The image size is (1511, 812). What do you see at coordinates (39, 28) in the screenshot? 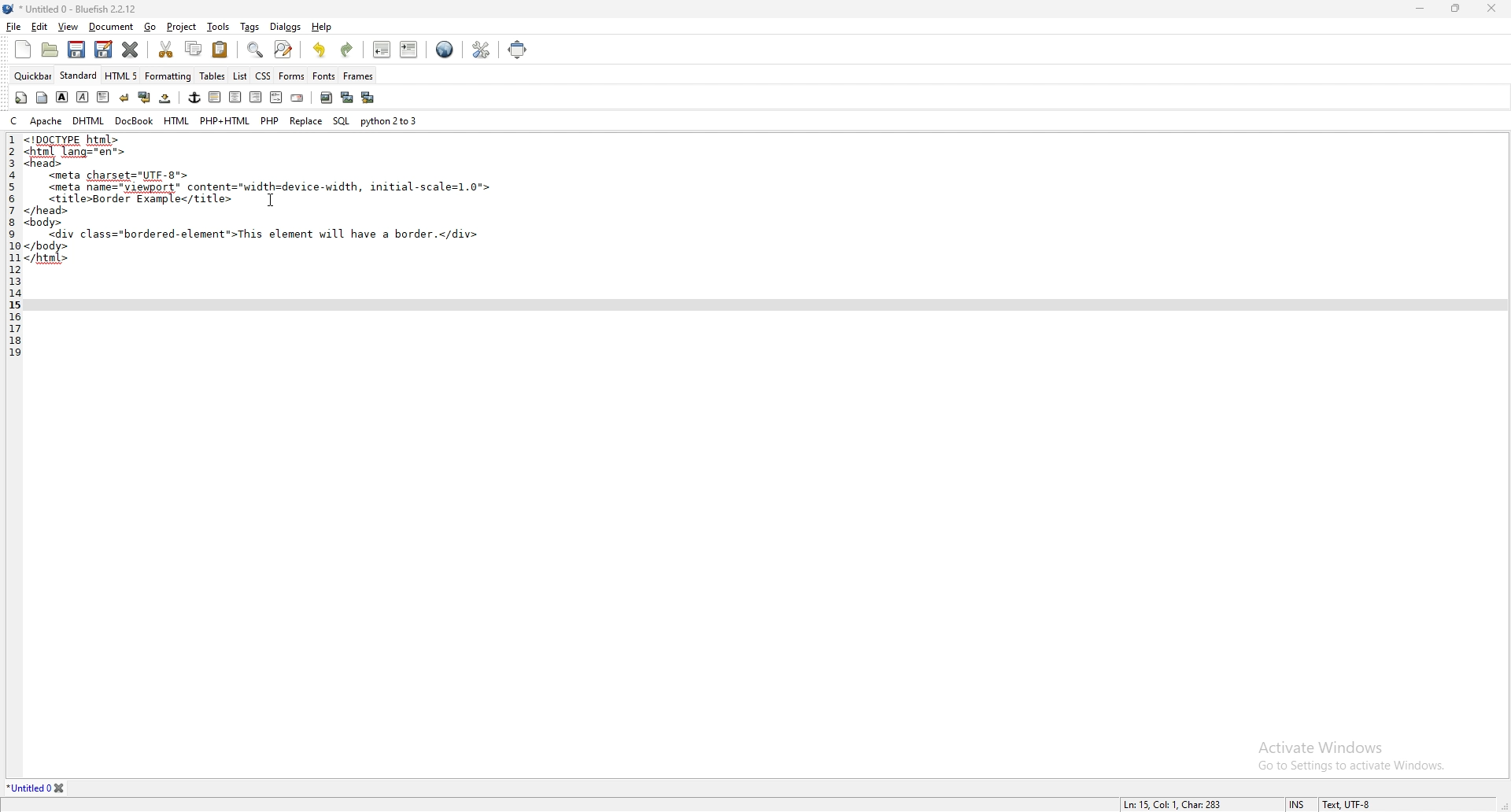
I see `edit` at bounding box center [39, 28].